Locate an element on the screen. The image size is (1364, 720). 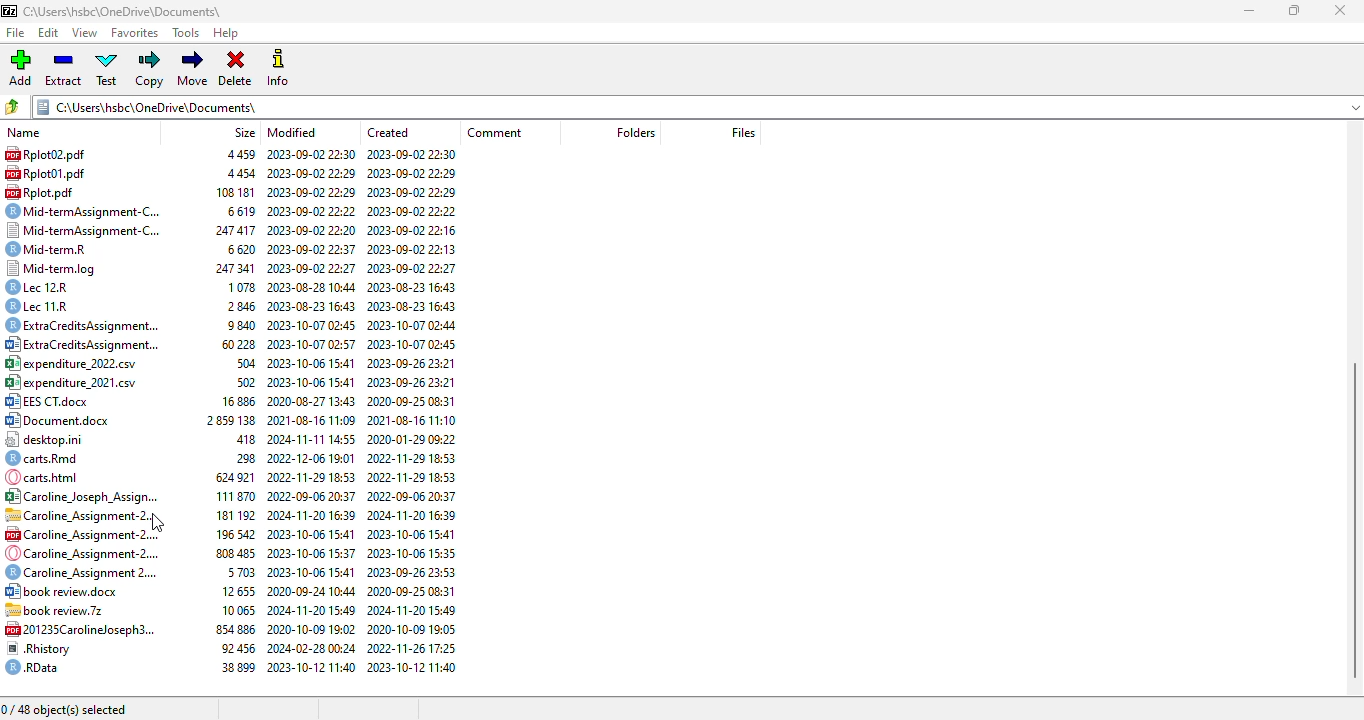
name is located at coordinates (21, 133).